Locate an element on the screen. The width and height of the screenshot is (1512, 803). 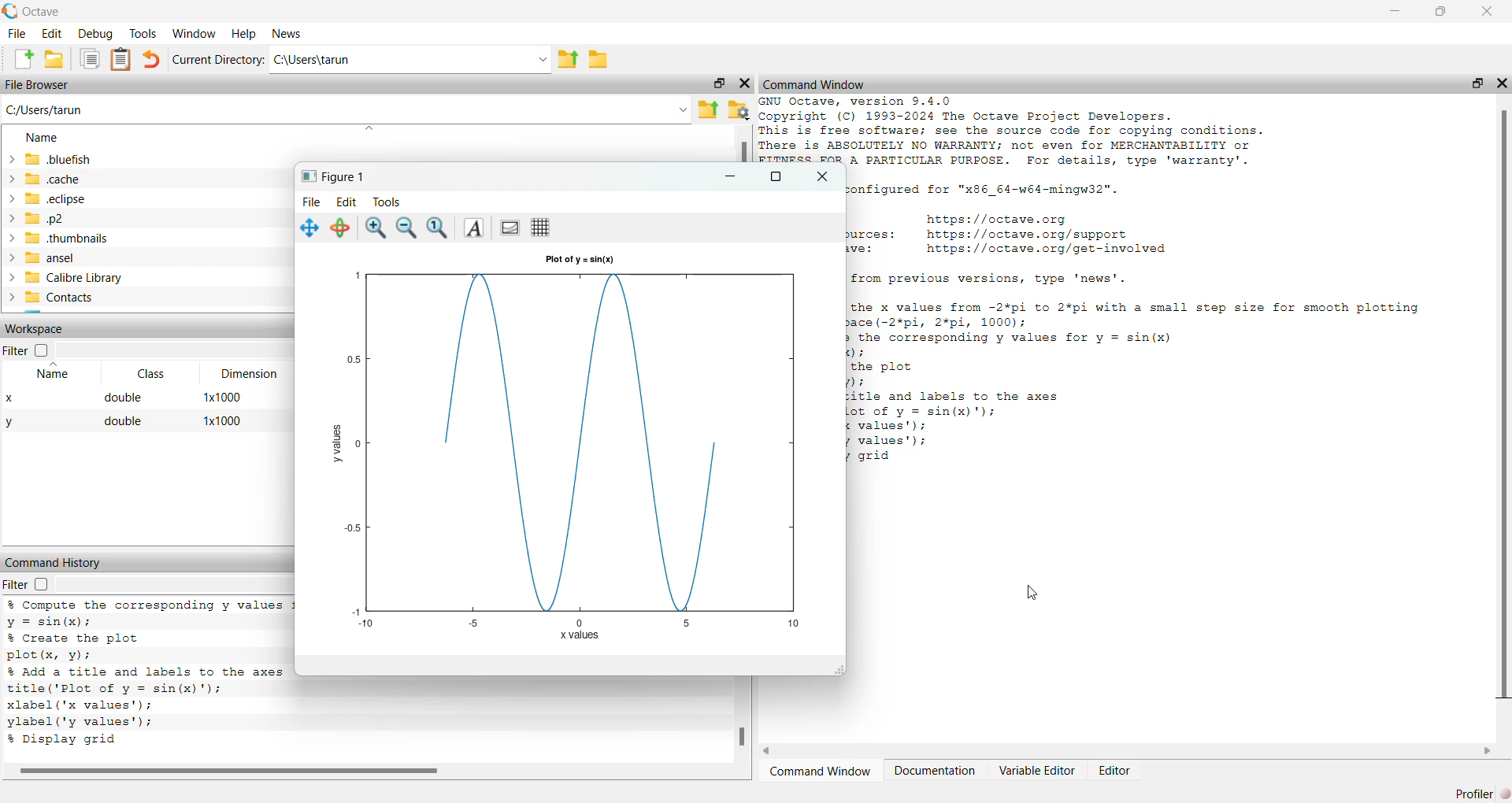
scroll left is located at coordinates (765, 751).